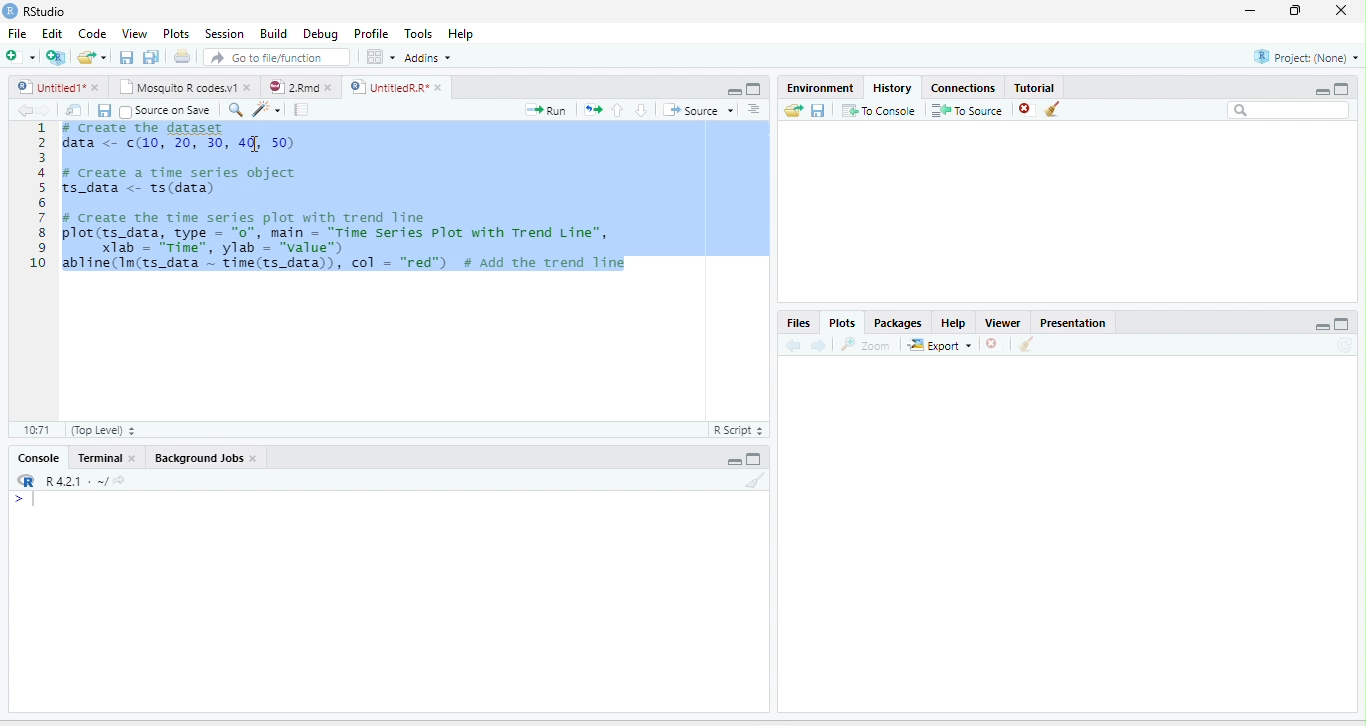  Describe the element at coordinates (151, 56) in the screenshot. I see `Save all open documents` at that location.